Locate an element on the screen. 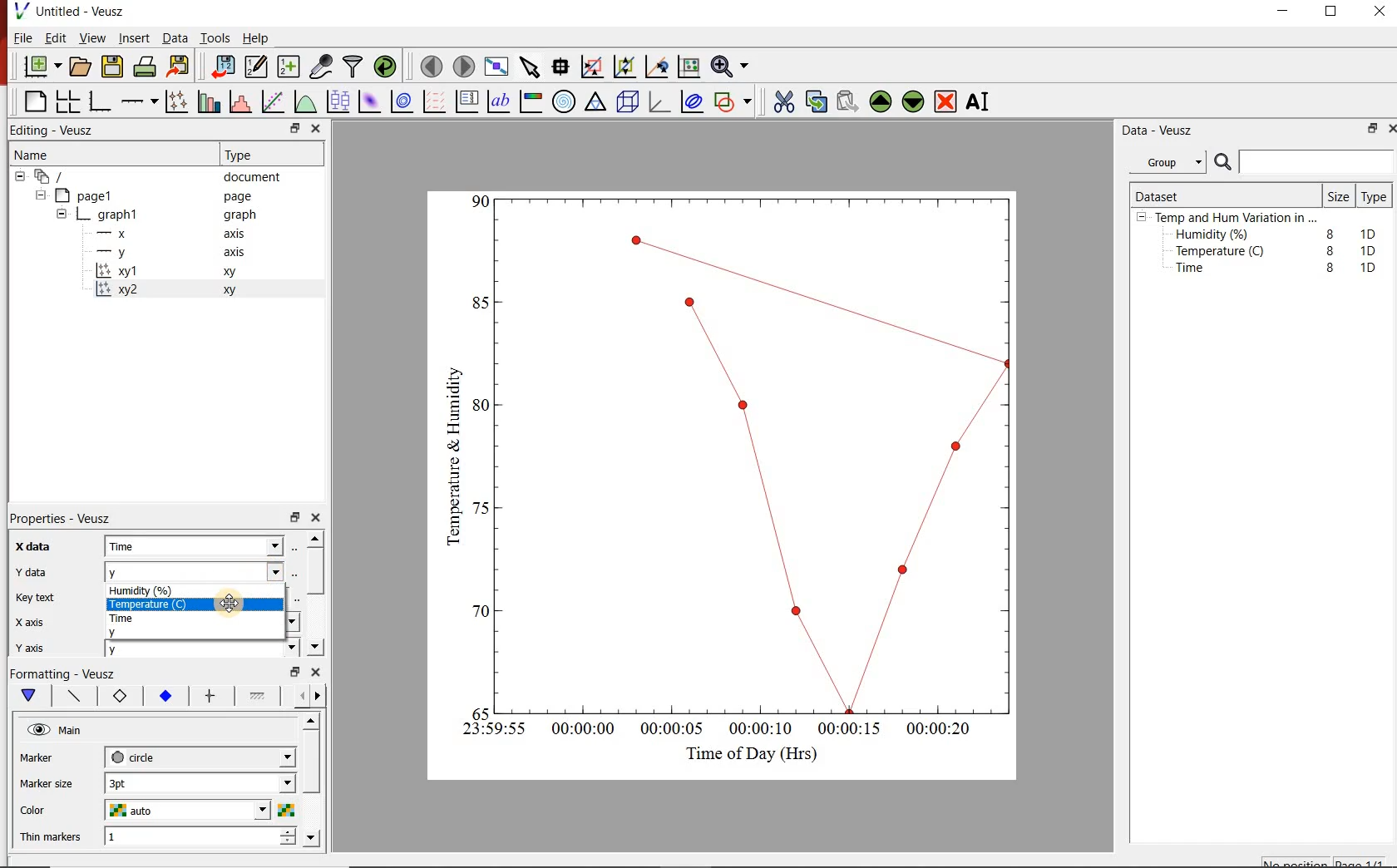 The height and width of the screenshot is (868, 1397). Type is located at coordinates (249, 155).